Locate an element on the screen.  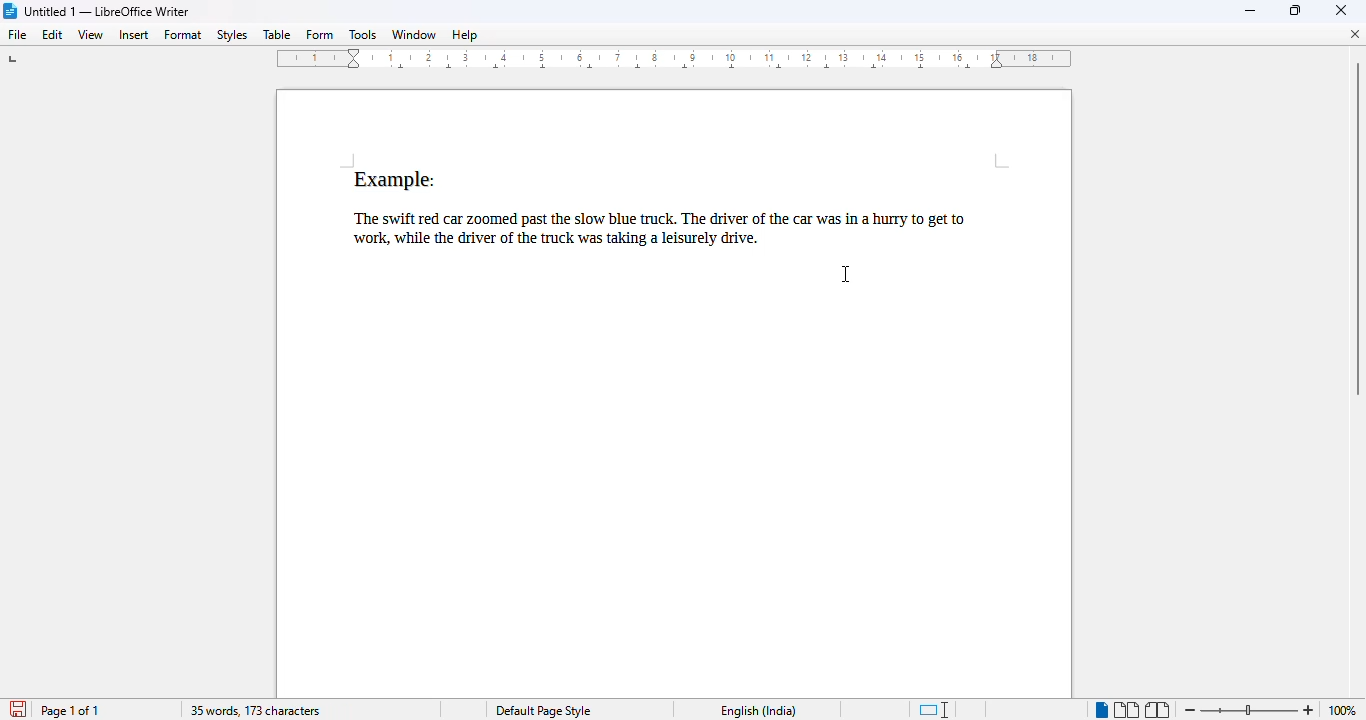
zoom out is located at coordinates (1190, 710).